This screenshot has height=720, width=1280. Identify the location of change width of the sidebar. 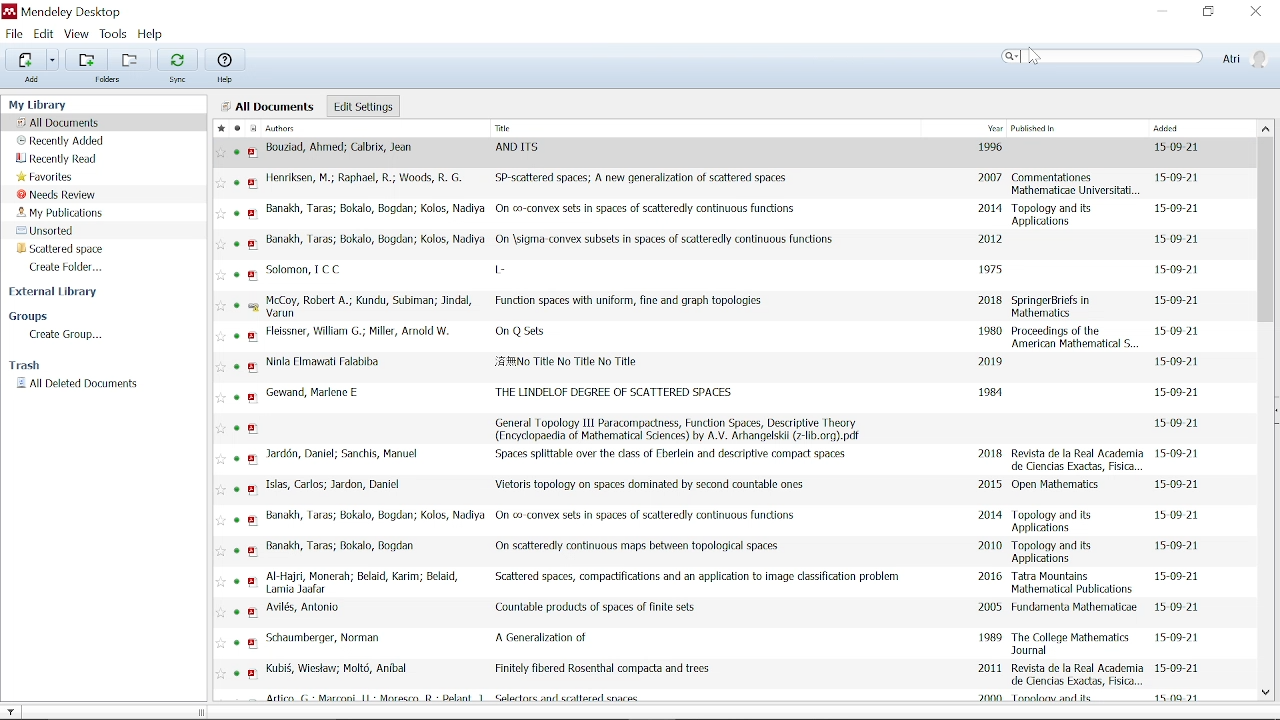
(205, 712).